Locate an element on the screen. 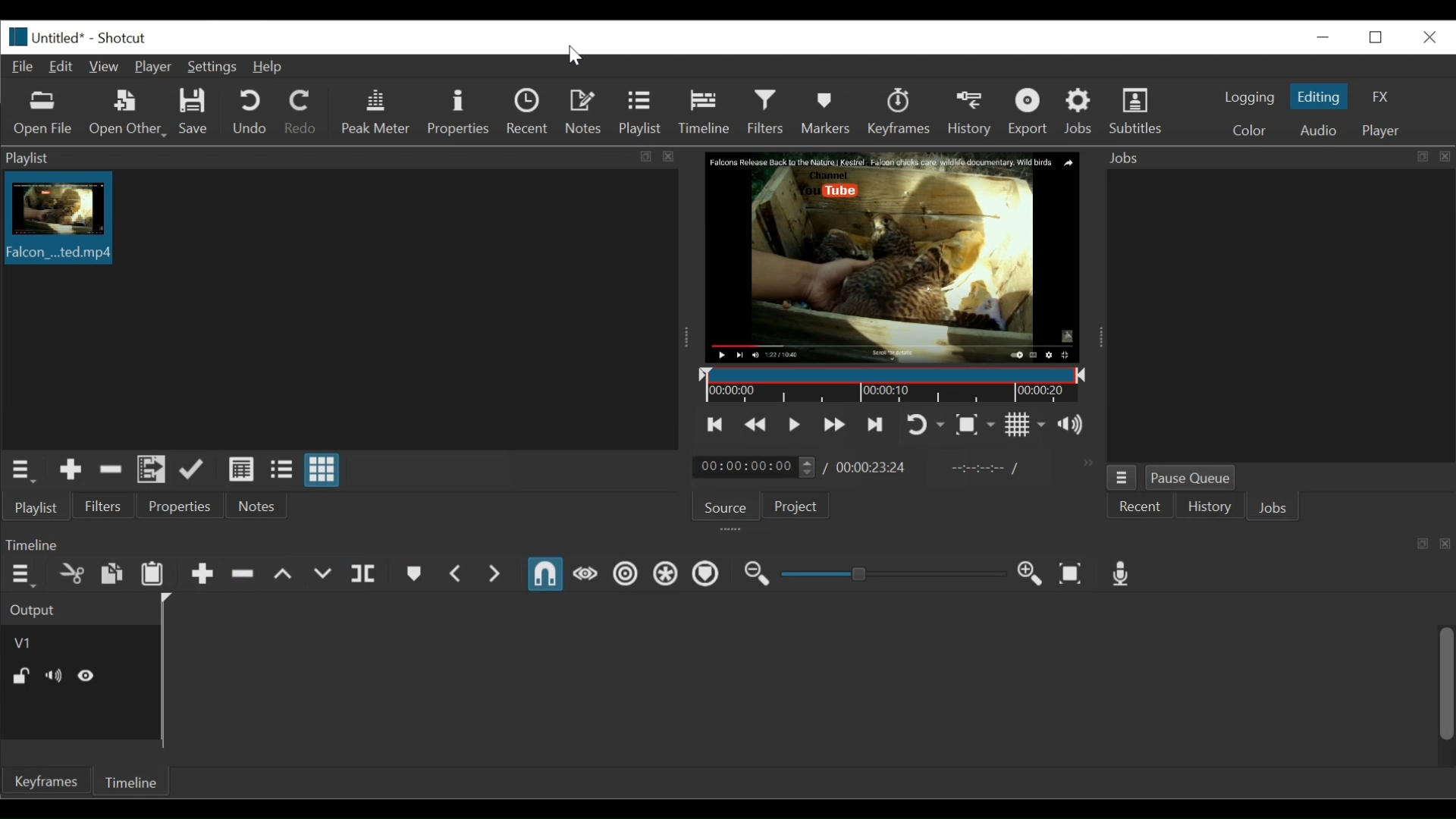 The width and height of the screenshot is (1456, 819). Timeline menu is located at coordinates (24, 574).